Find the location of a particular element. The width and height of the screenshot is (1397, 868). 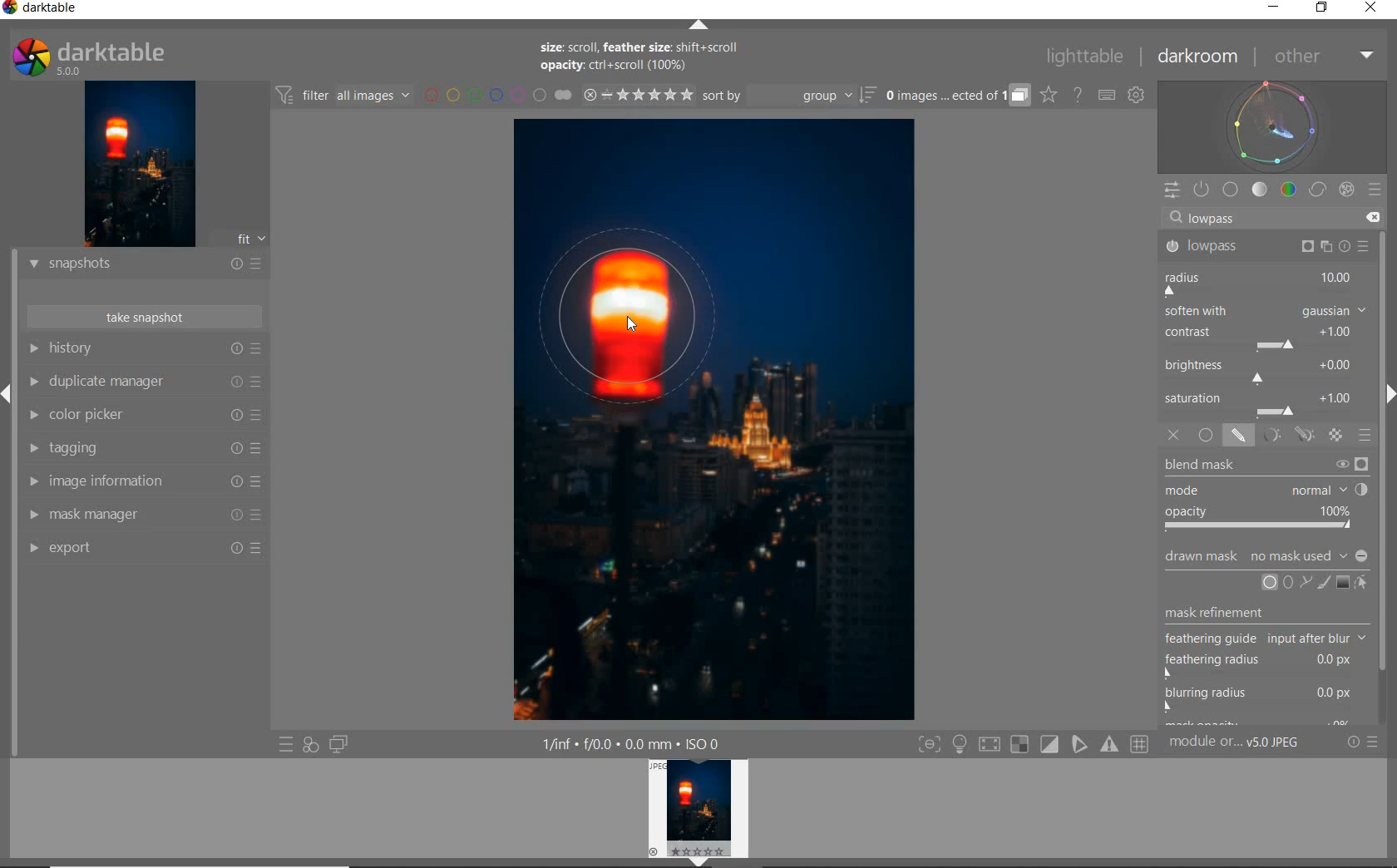

SATURATION is located at coordinates (1266, 403).